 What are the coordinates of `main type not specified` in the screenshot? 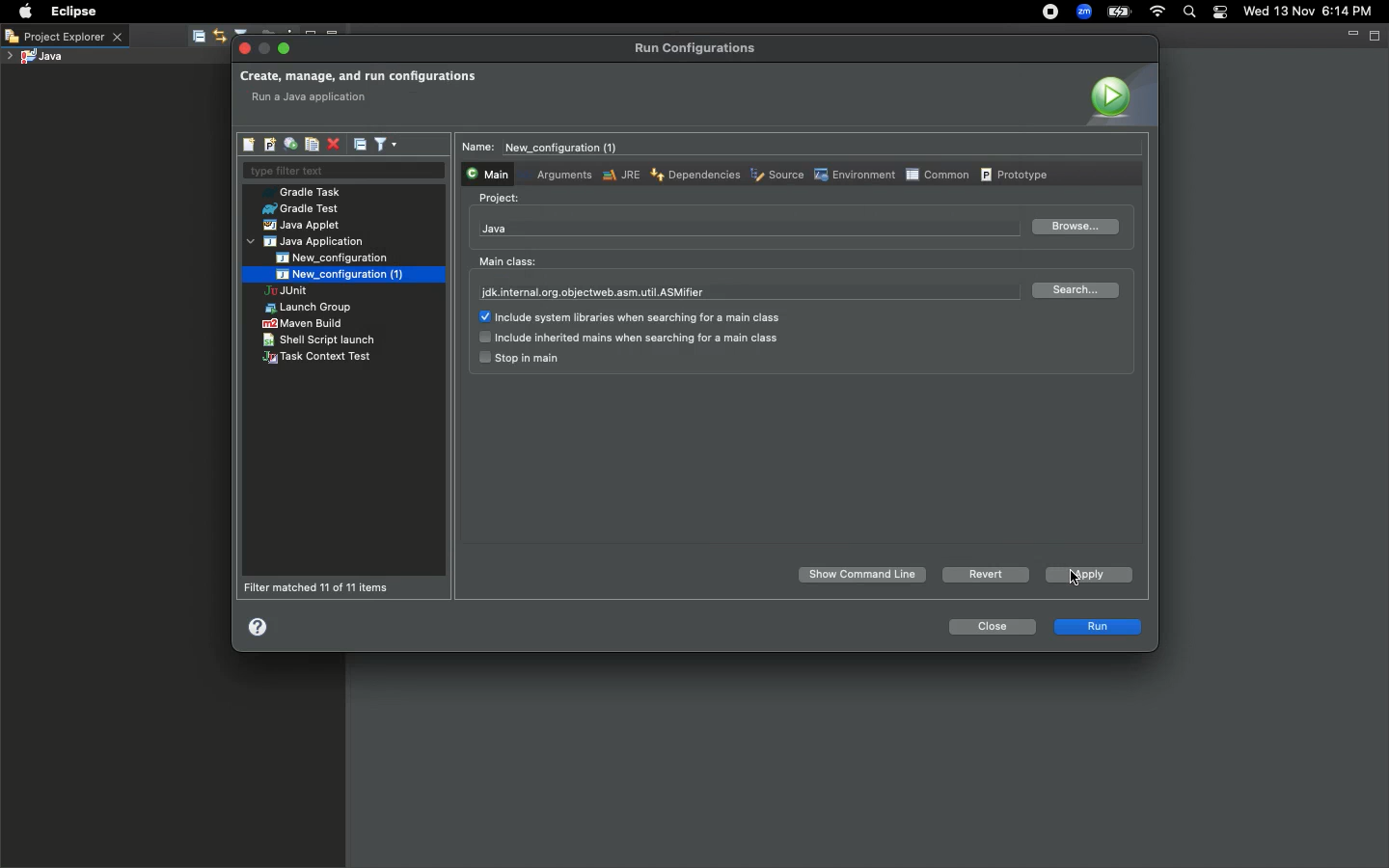 It's located at (315, 98).